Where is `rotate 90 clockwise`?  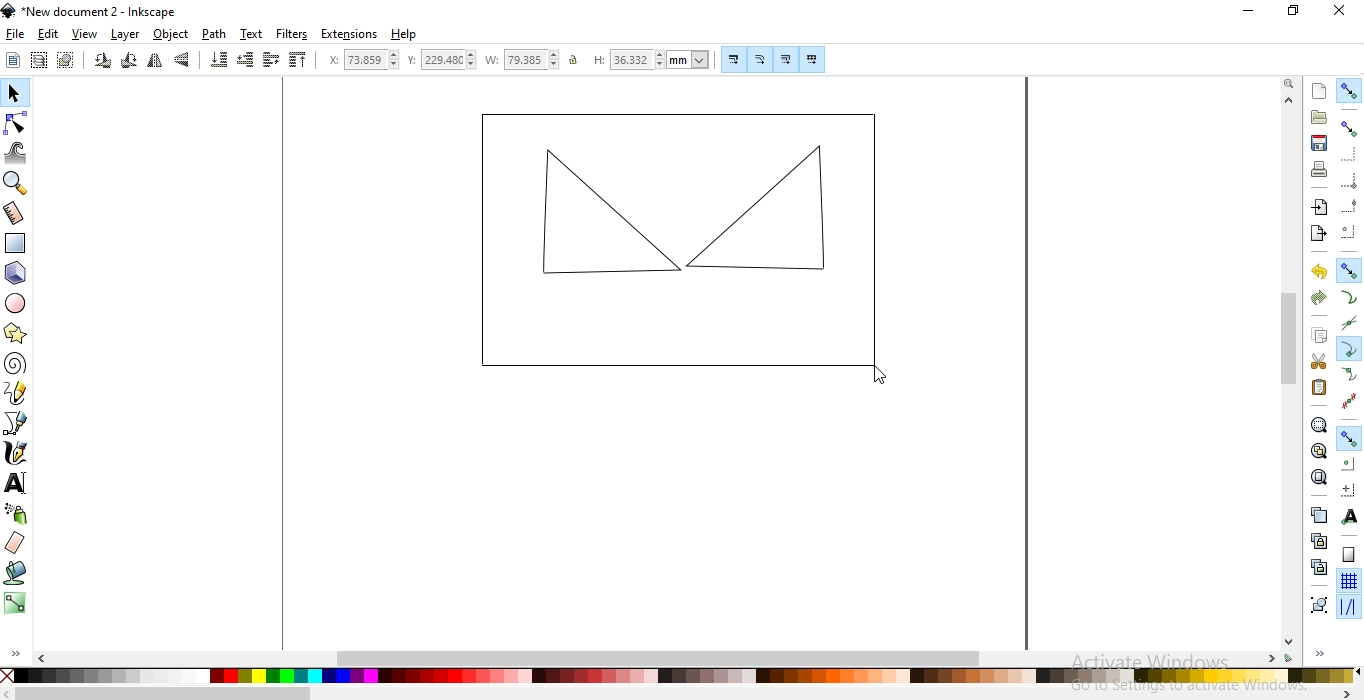
rotate 90 clockwise is located at coordinates (130, 61).